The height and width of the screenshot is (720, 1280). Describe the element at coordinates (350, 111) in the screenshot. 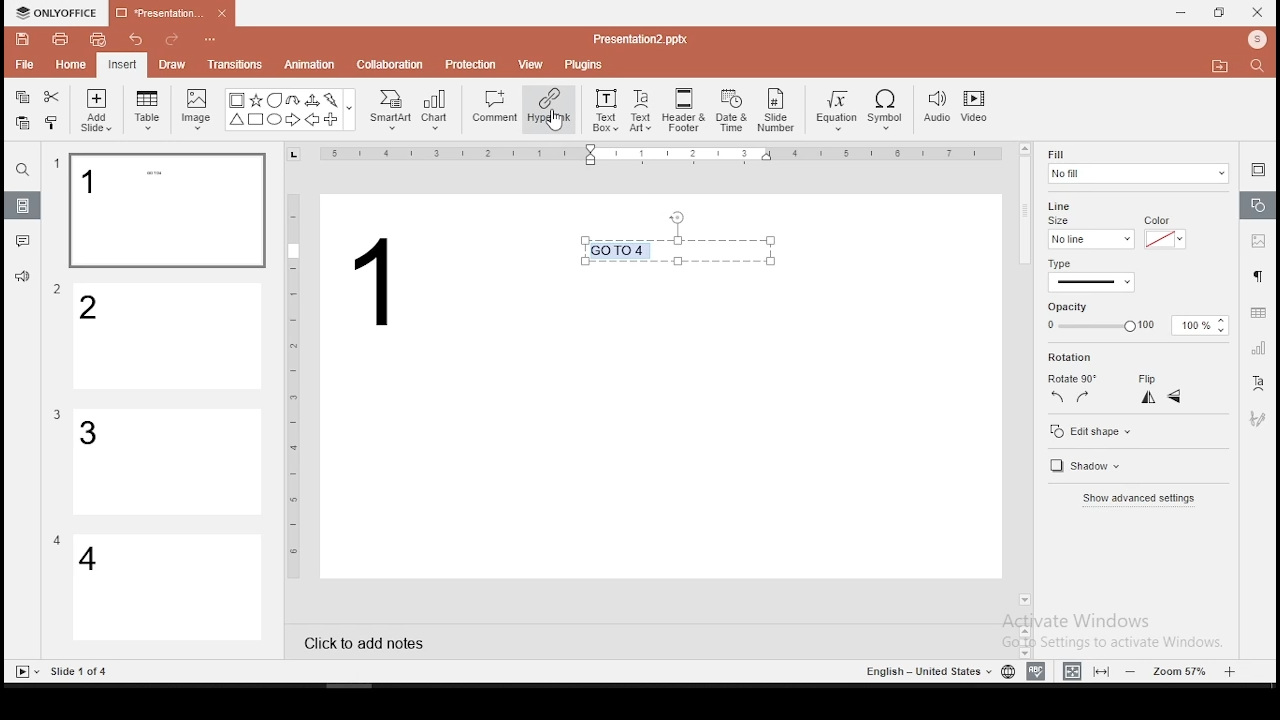

I see `` at that location.